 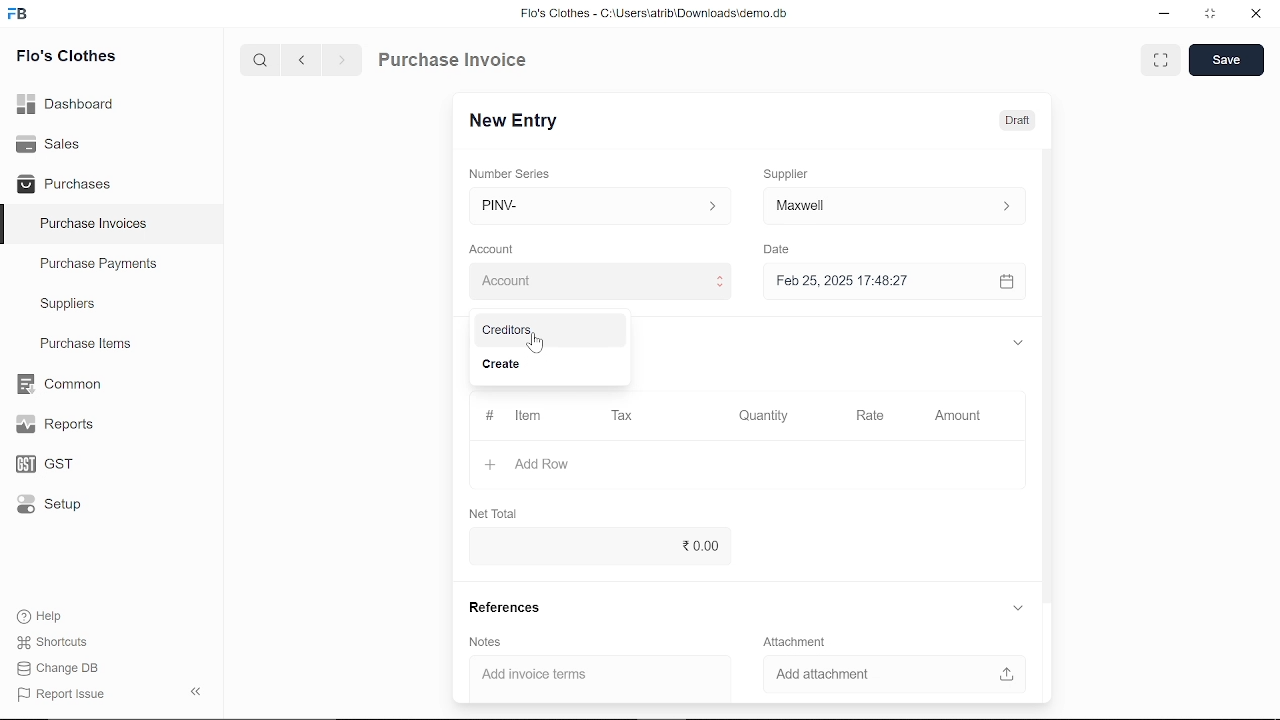 What do you see at coordinates (894, 204) in the screenshot?
I see `input ‘Supplier` at bounding box center [894, 204].